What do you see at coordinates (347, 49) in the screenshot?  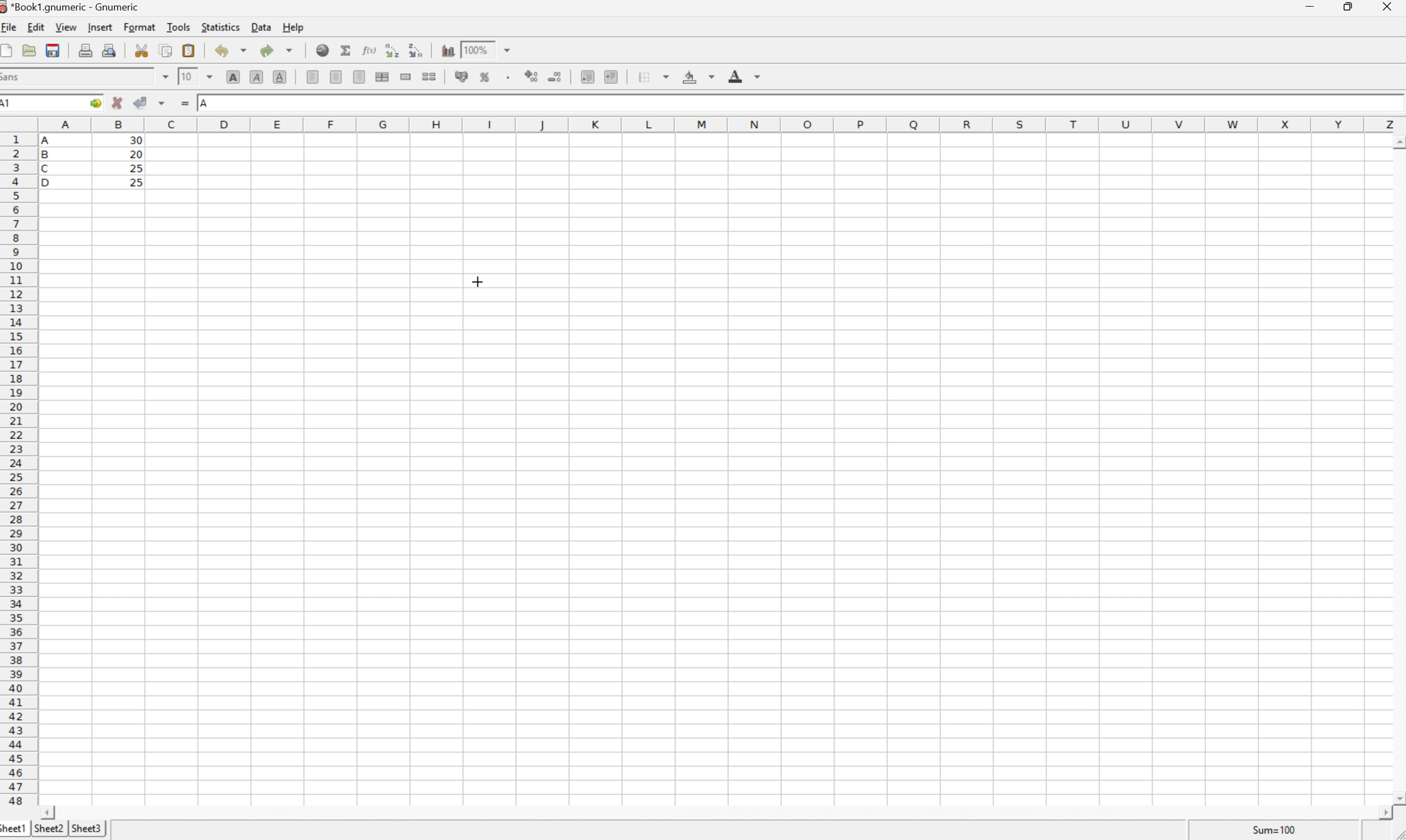 I see `Sum into current cell` at bounding box center [347, 49].